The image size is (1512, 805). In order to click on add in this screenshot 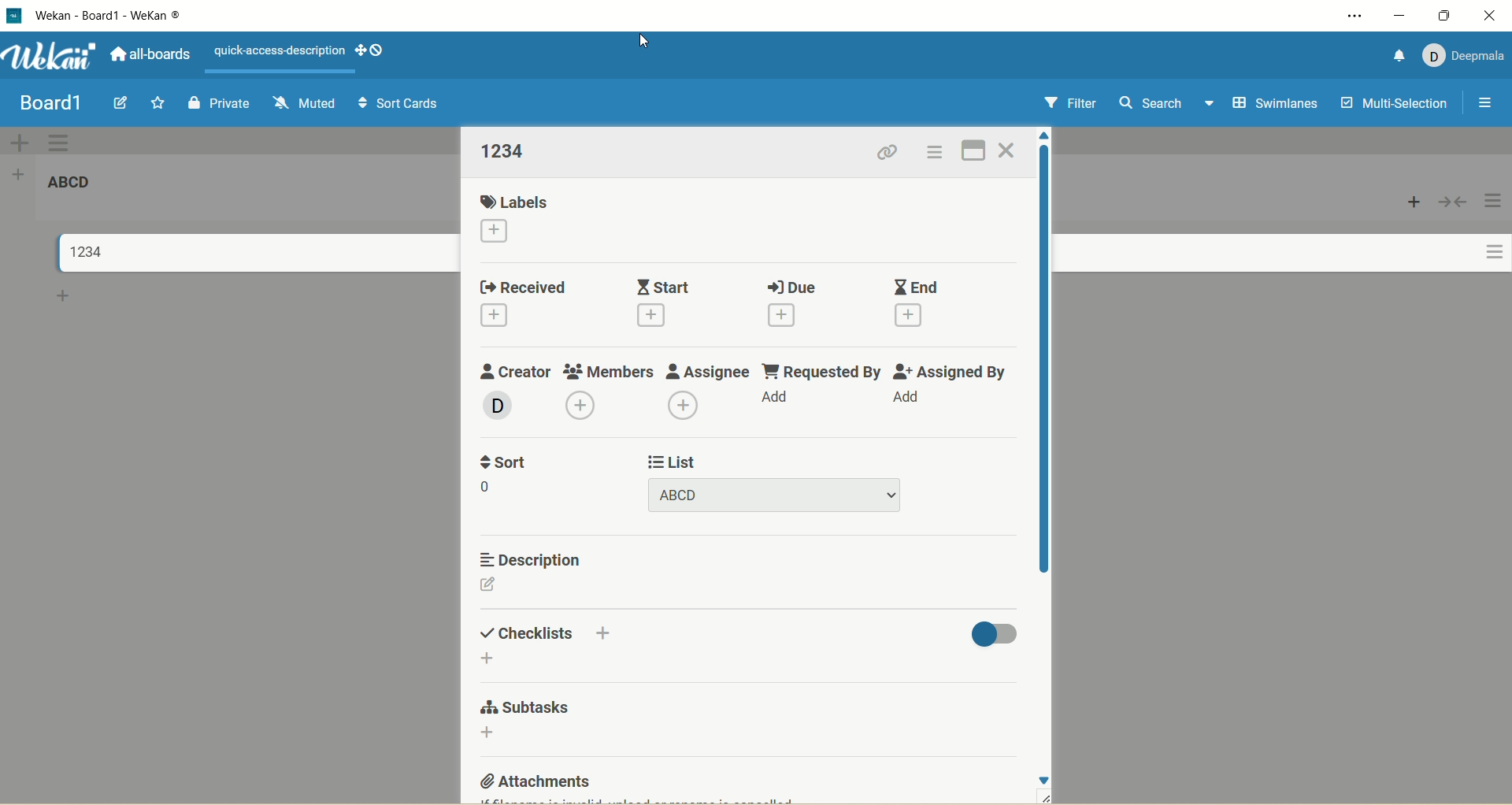, I will do `click(773, 400)`.